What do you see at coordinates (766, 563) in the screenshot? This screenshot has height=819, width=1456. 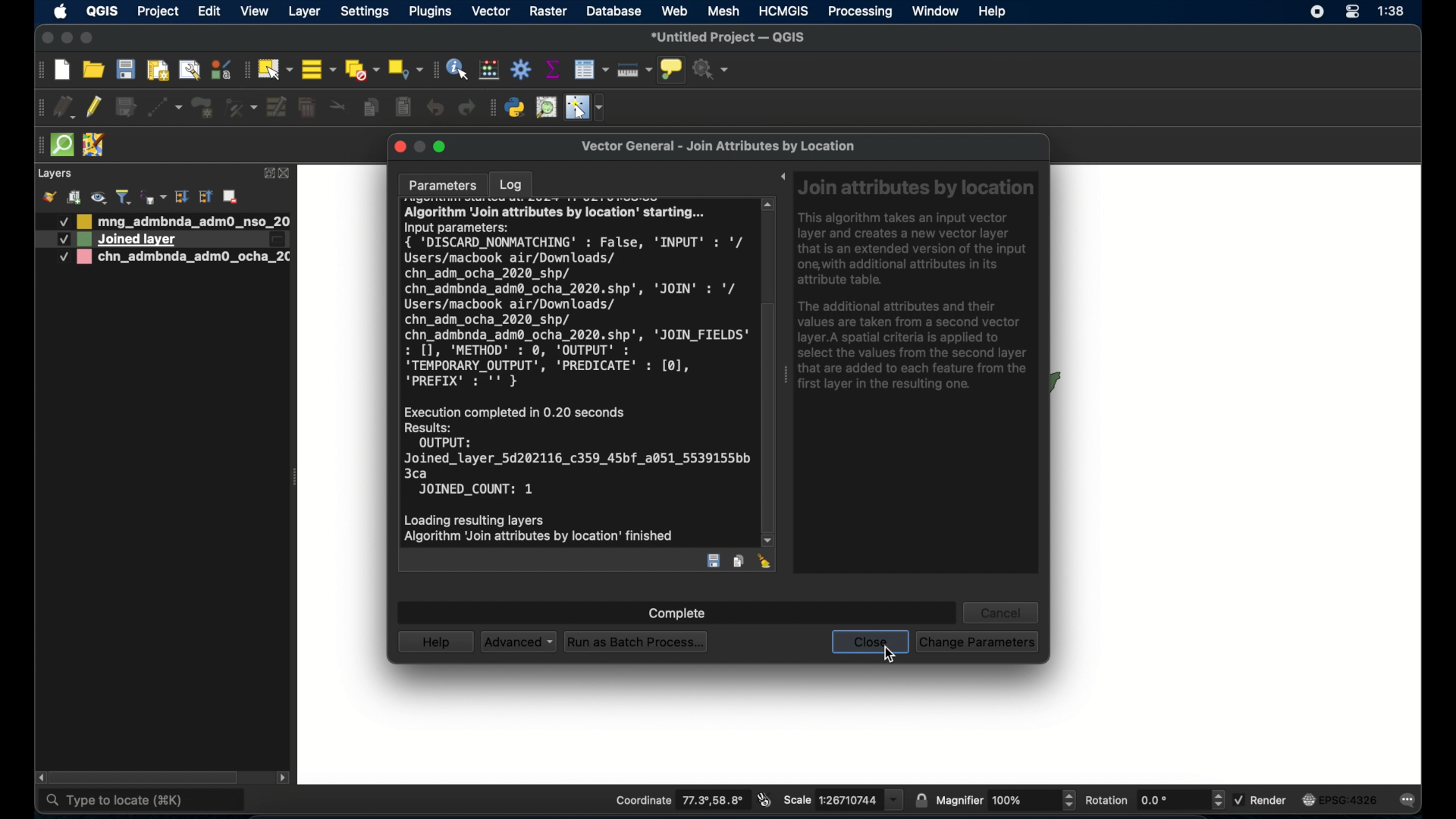 I see `clear log entry` at bounding box center [766, 563].